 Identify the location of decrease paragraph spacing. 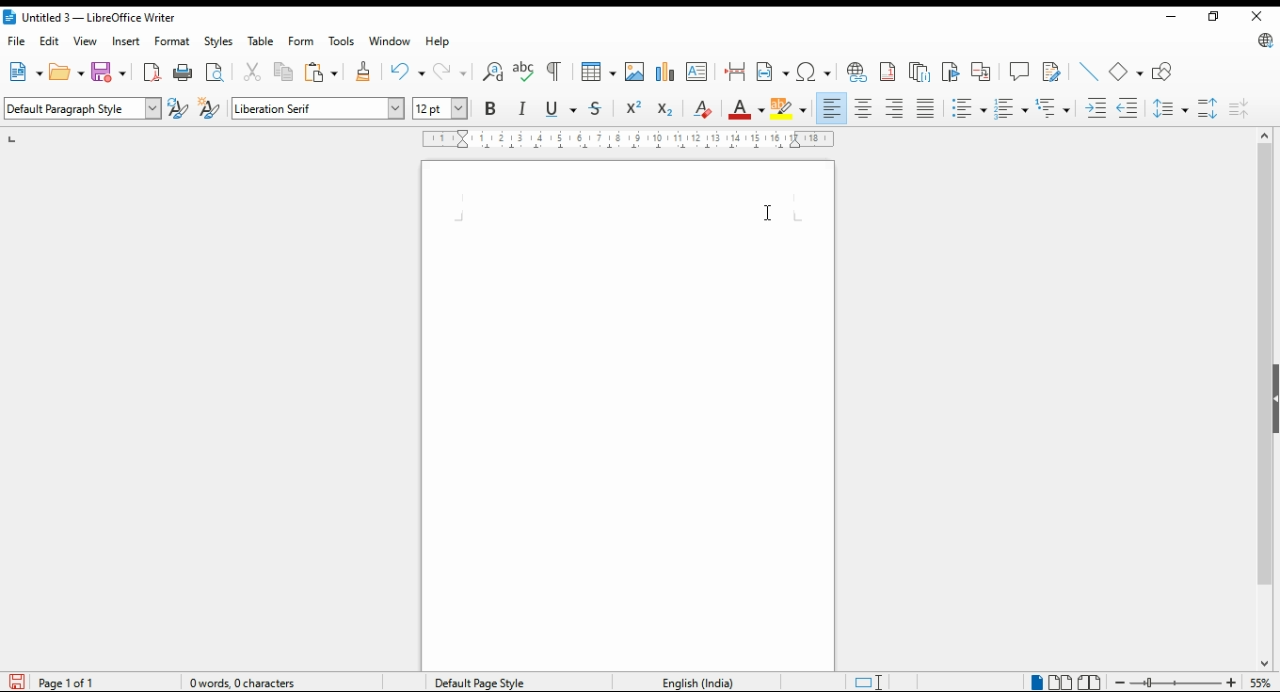
(1239, 108).